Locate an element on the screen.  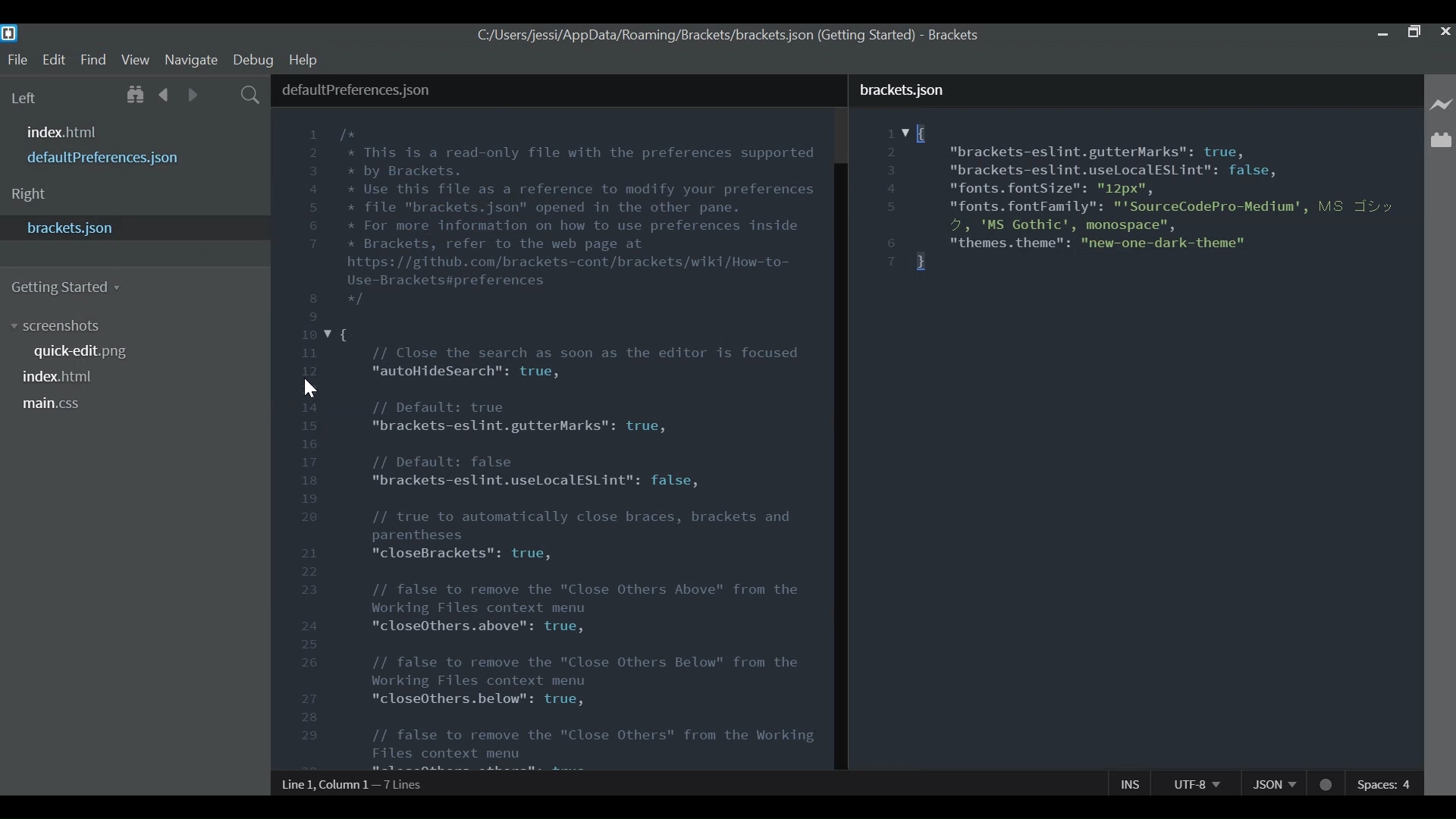
Insert is located at coordinates (1129, 783).